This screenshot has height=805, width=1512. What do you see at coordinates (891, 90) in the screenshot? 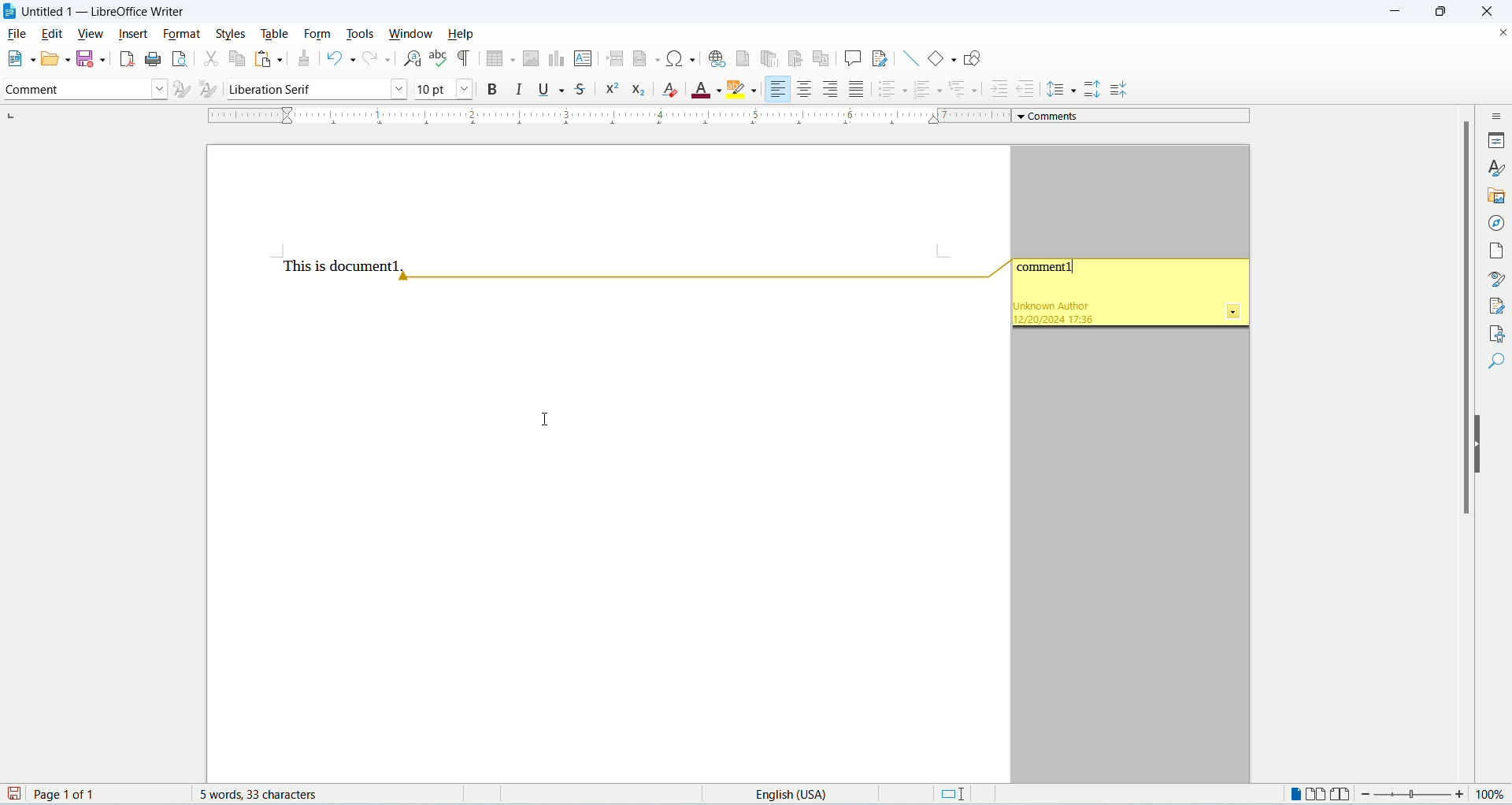
I see `unordered list` at bounding box center [891, 90].